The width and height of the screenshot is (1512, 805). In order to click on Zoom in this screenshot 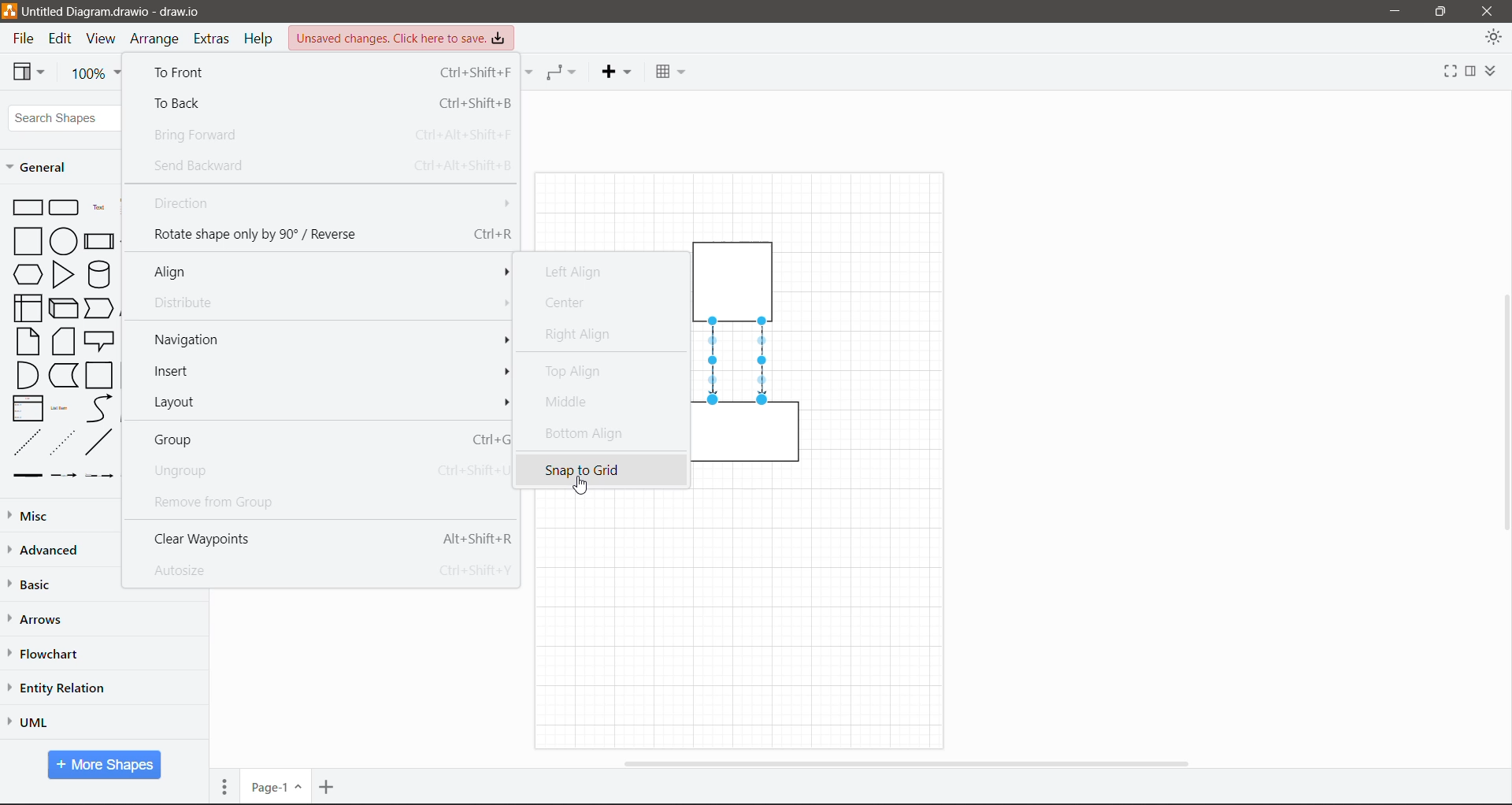, I will do `click(97, 74)`.